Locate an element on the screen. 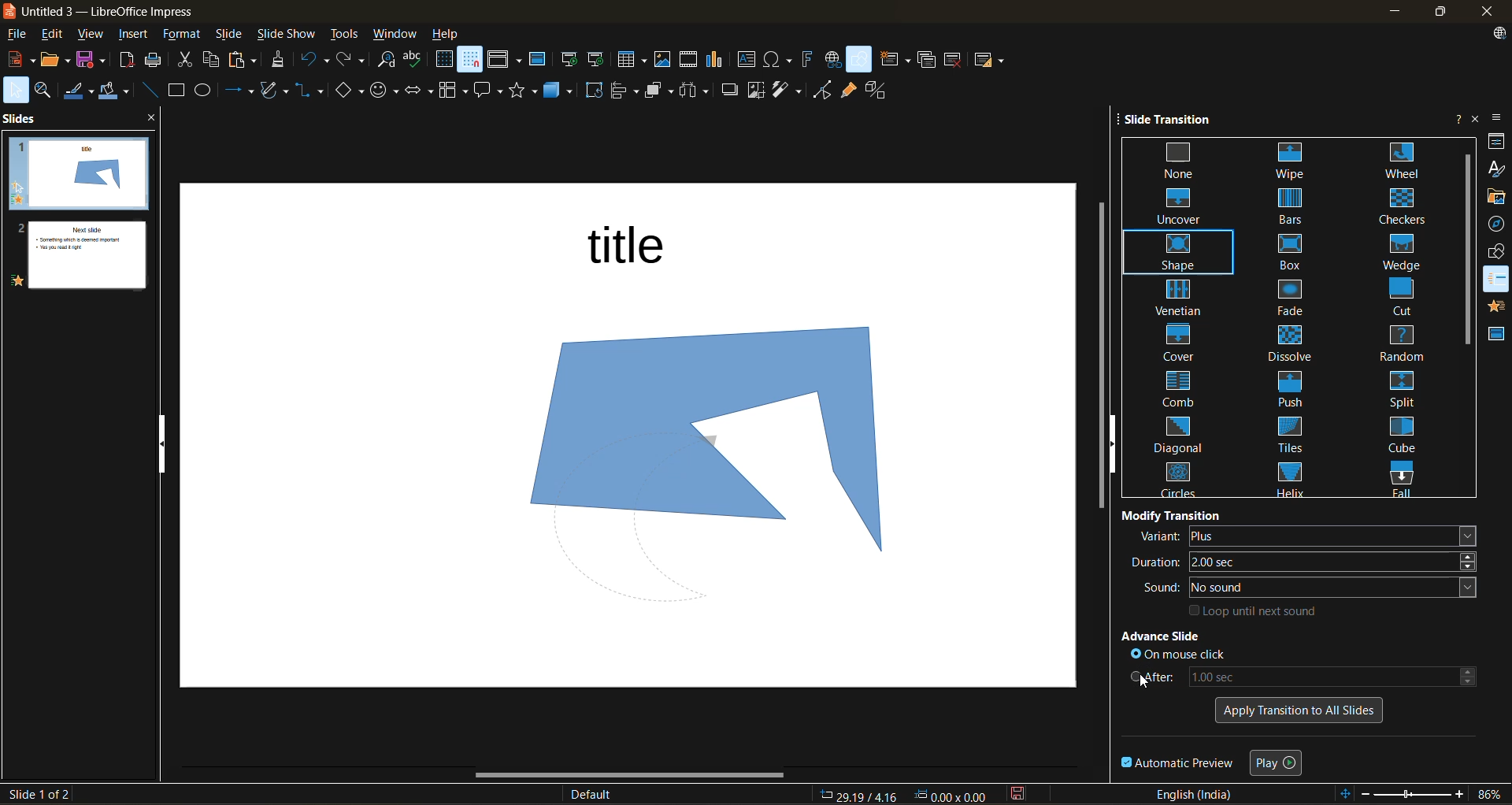 The width and height of the screenshot is (1512, 805). align objects is located at coordinates (625, 92).